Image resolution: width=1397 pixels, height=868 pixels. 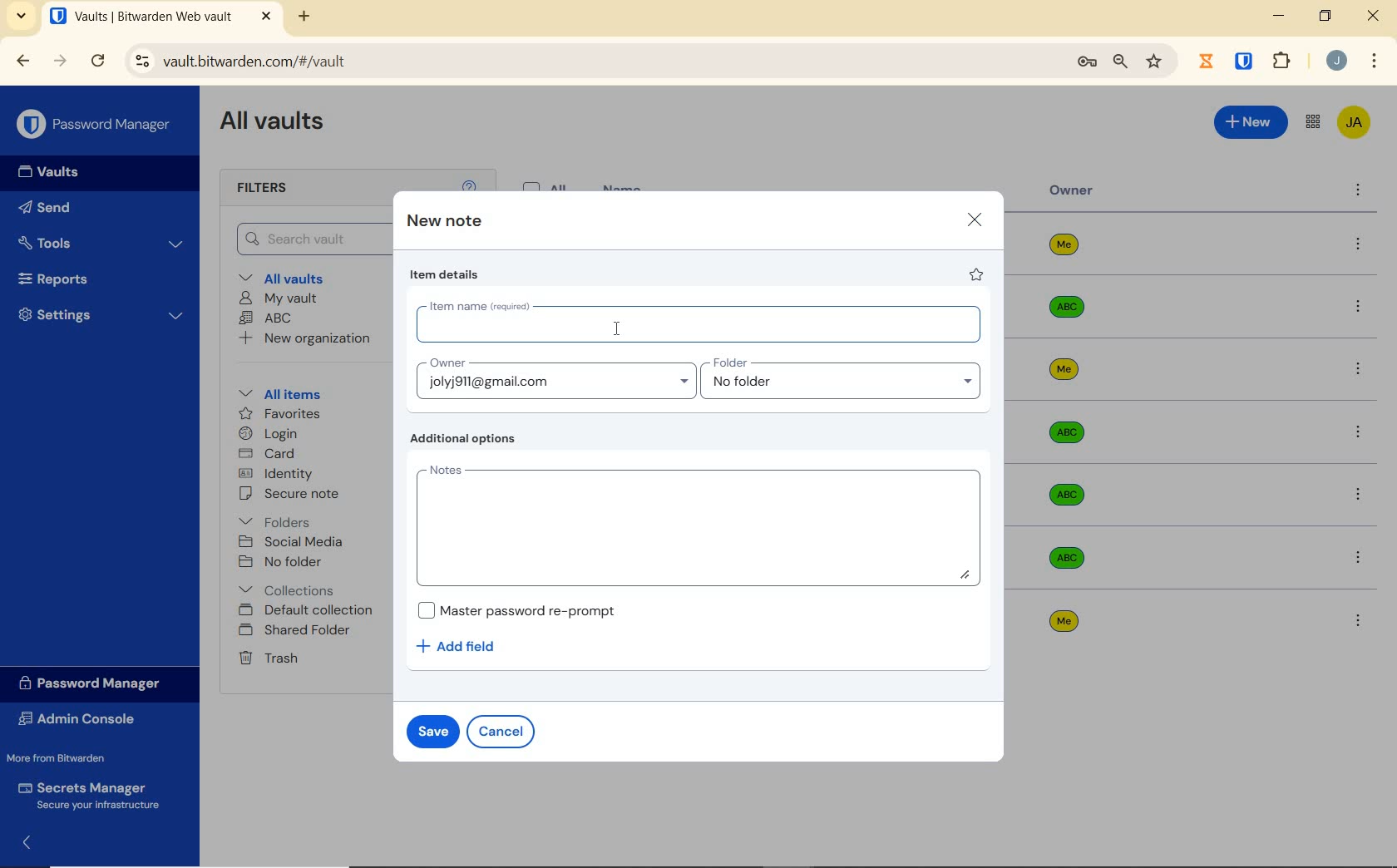 What do you see at coordinates (1064, 433) in the screenshot?
I see `Owner Name` at bounding box center [1064, 433].